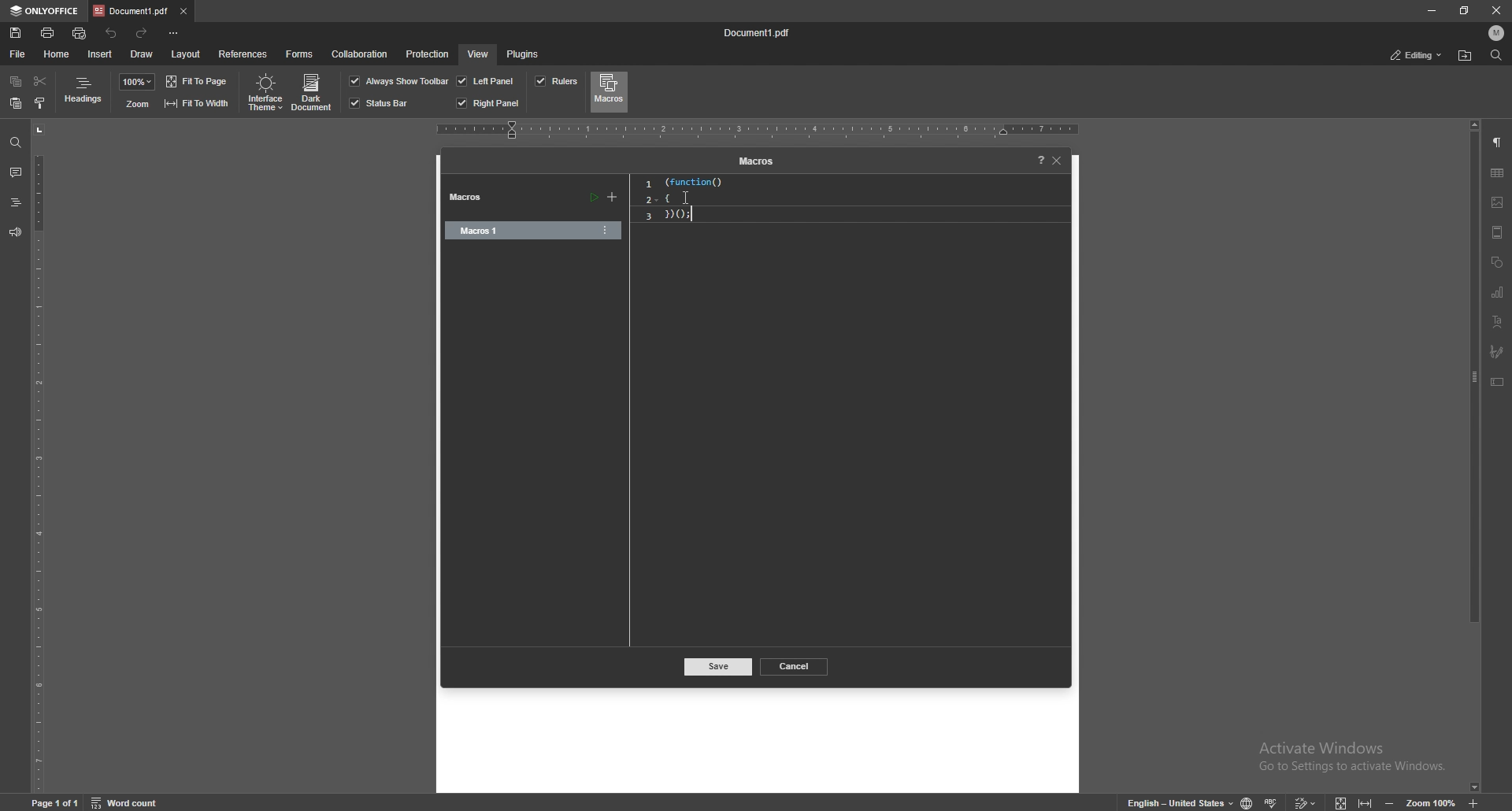  What do you see at coordinates (57, 54) in the screenshot?
I see `home` at bounding box center [57, 54].